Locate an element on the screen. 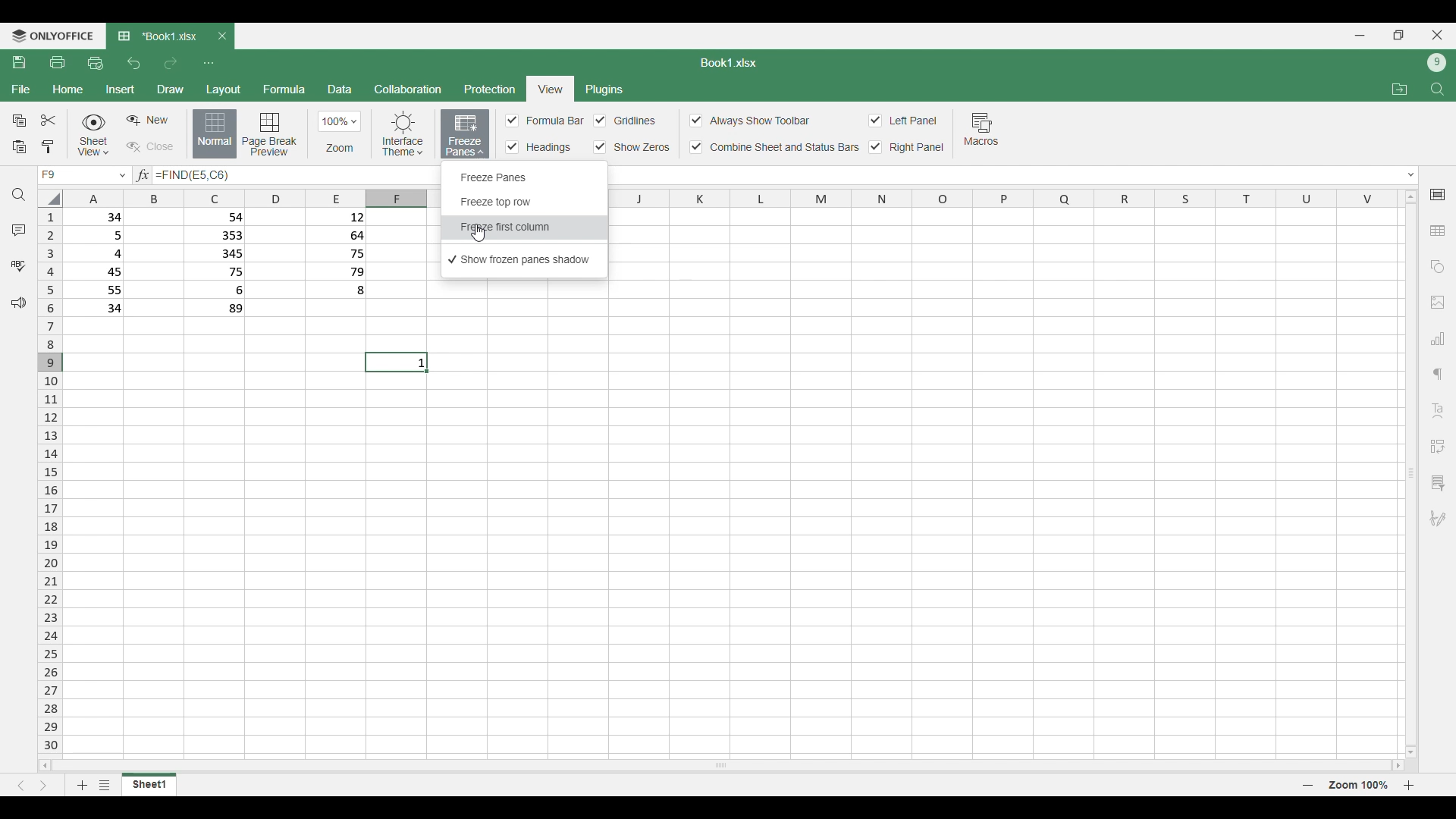 The image size is (1456, 819).  is located at coordinates (539, 148).